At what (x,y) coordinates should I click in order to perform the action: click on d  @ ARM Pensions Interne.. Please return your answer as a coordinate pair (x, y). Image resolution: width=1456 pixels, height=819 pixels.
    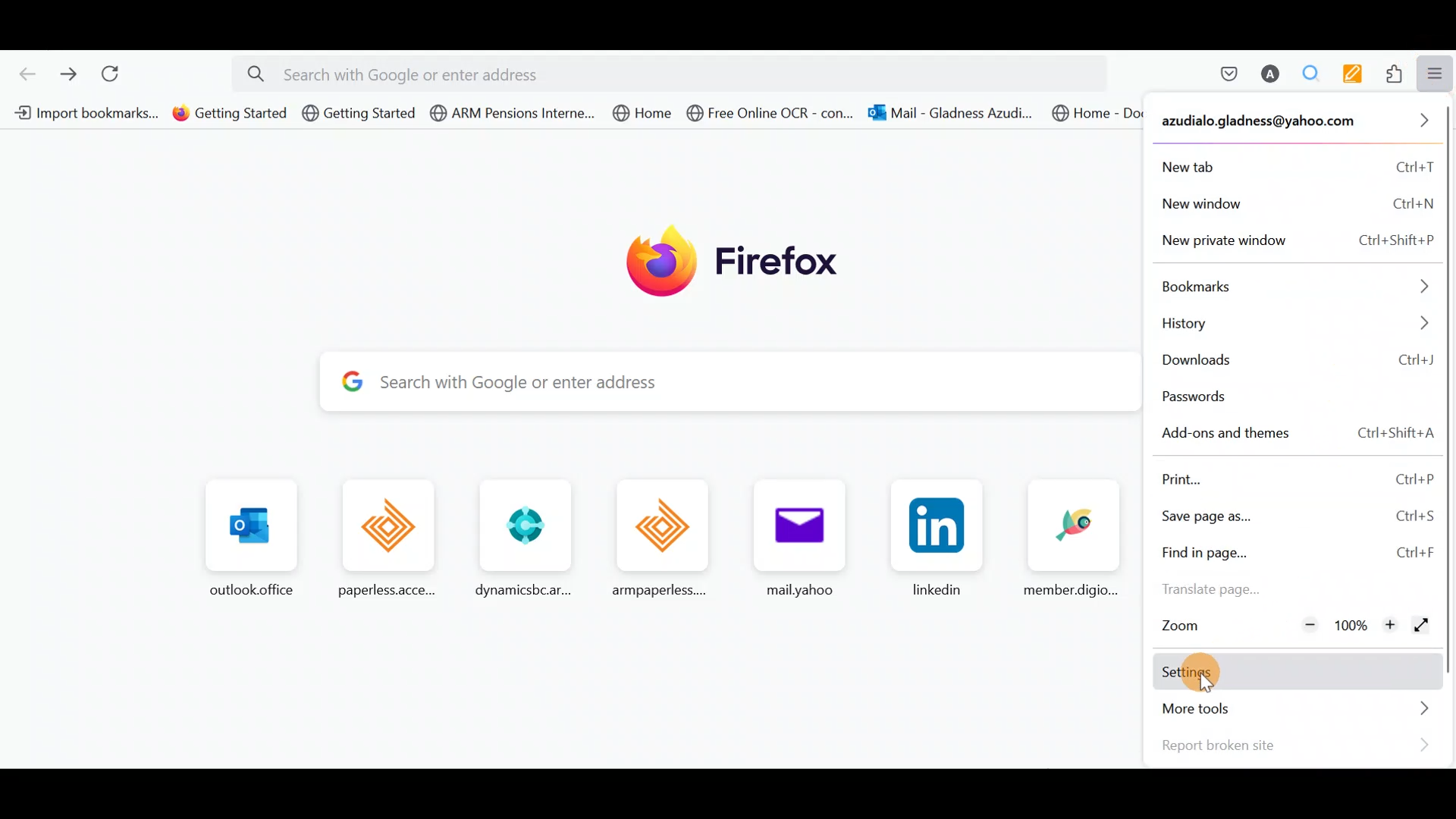
    Looking at the image, I should click on (510, 114).